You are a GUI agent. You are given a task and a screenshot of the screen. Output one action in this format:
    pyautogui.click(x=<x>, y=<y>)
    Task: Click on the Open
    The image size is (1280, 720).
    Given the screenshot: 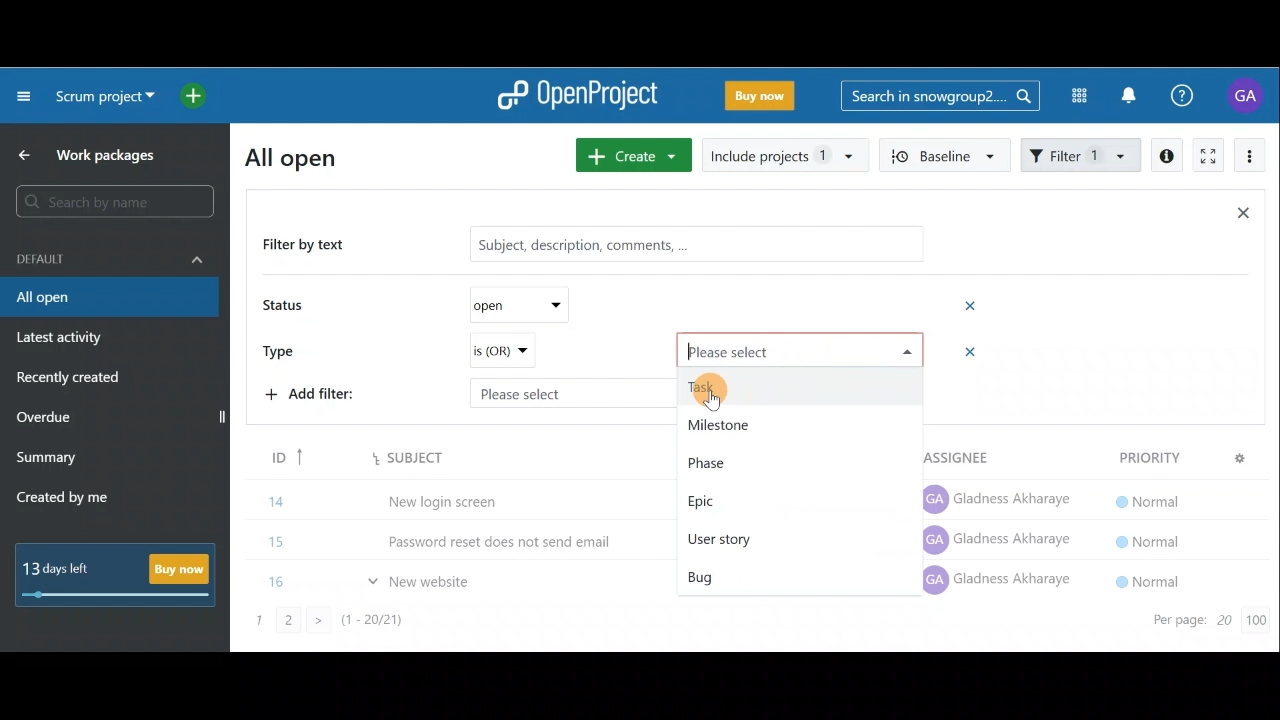 What is the action you would take?
    pyautogui.click(x=512, y=305)
    